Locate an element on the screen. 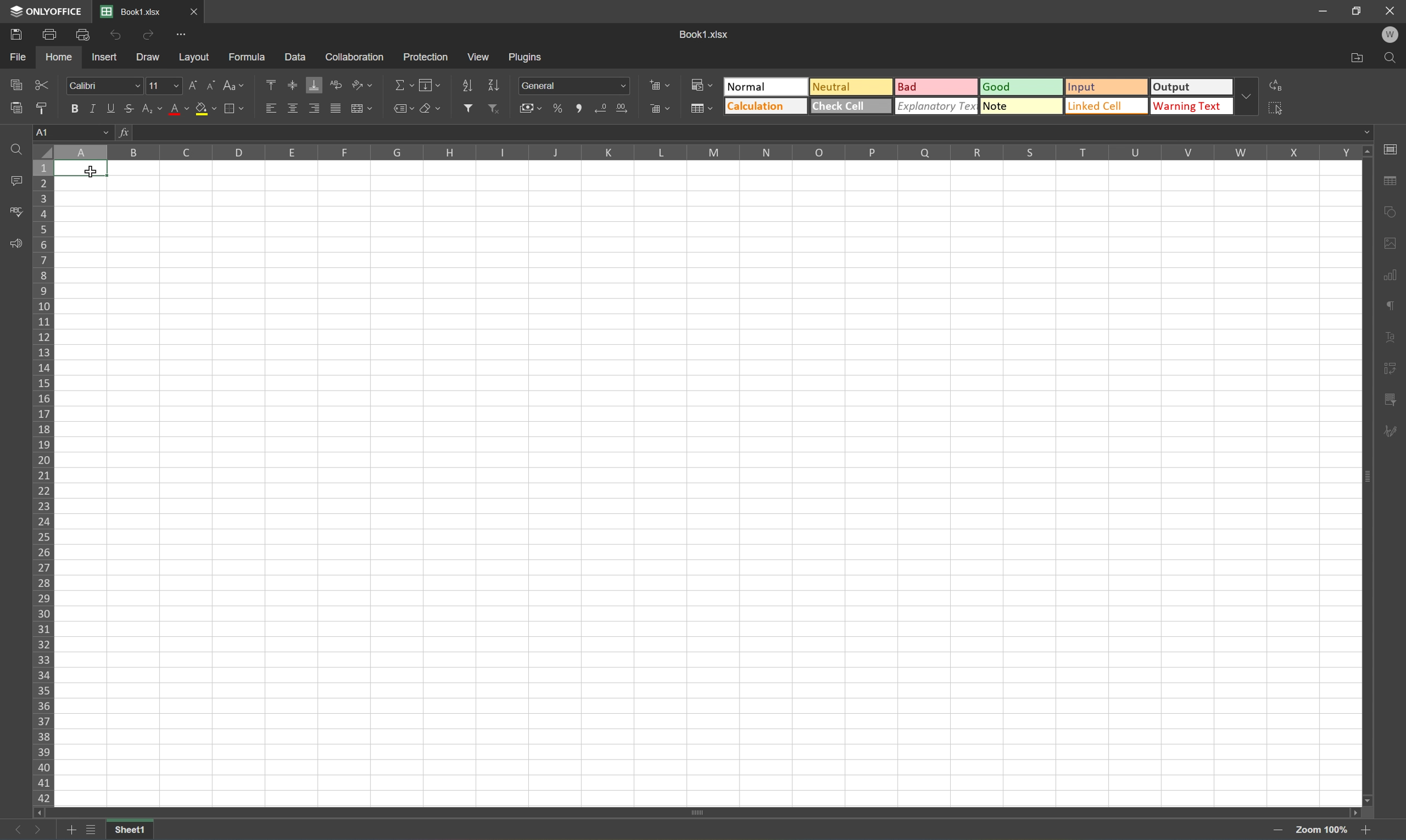  Plugins is located at coordinates (527, 57).